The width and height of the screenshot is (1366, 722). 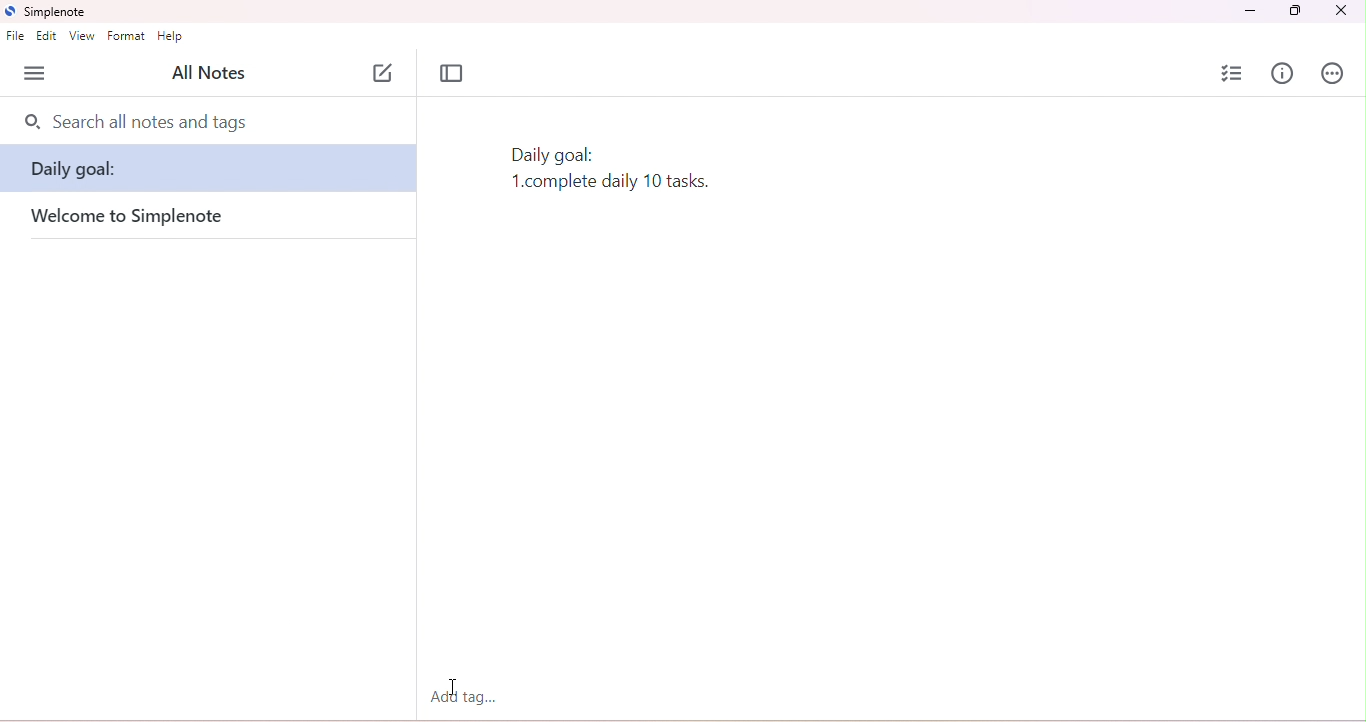 What do you see at coordinates (1248, 12) in the screenshot?
I see `minimize` at bounding box center [1248, 12].